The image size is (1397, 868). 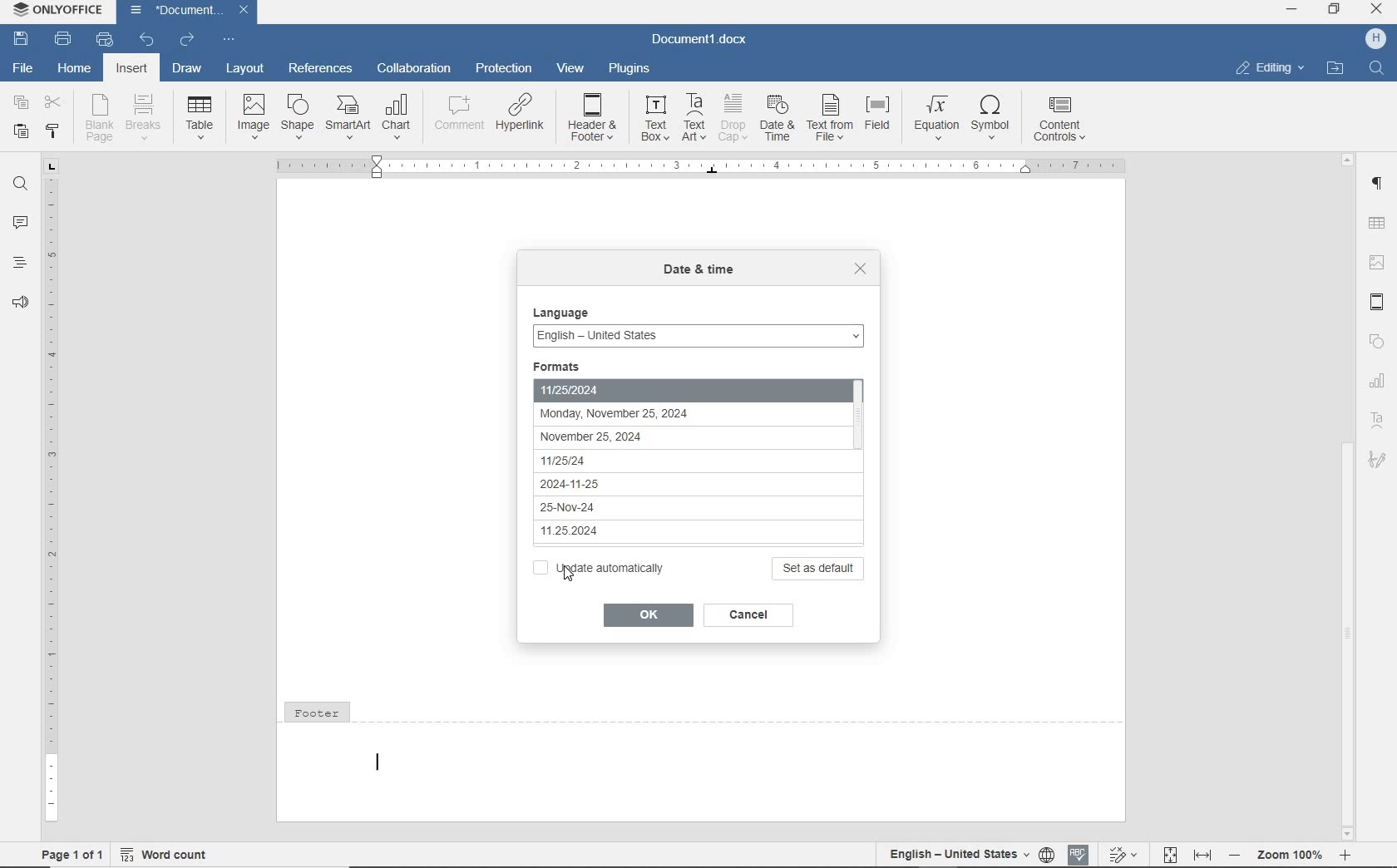 I want to click on set as default, so click(x=820, y=568).